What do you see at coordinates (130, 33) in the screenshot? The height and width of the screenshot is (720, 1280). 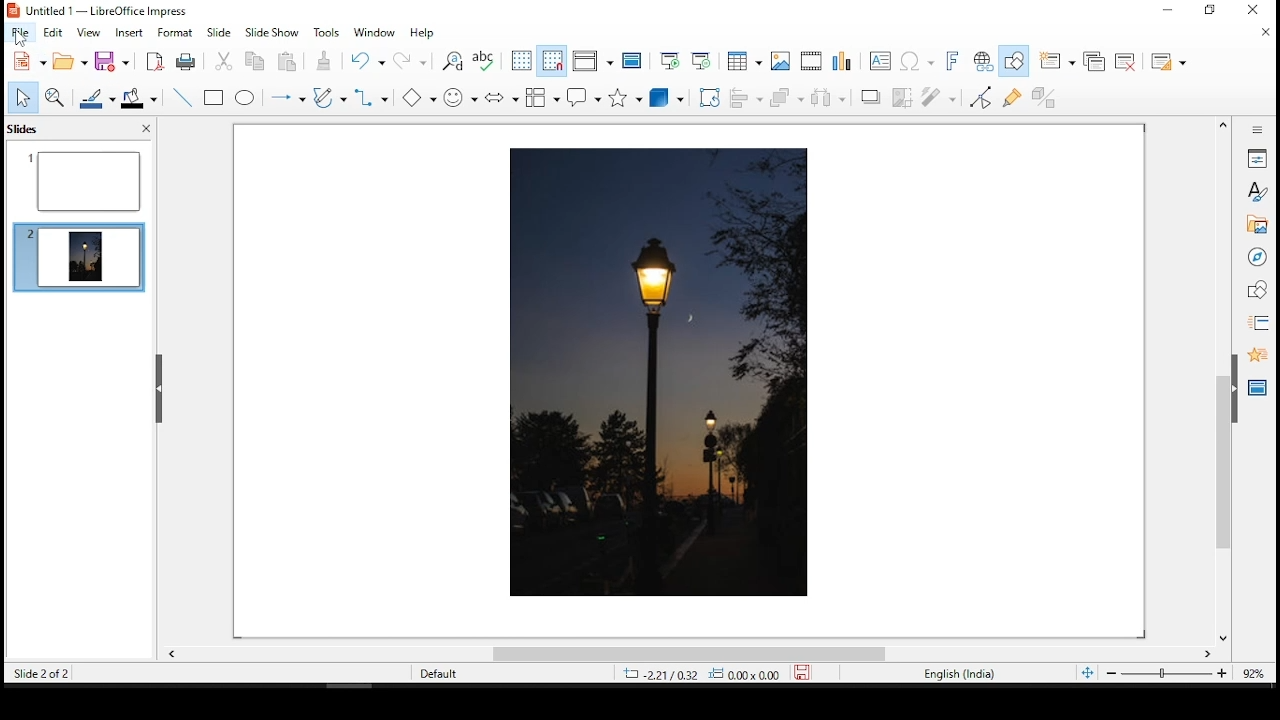 I see `insert` at bounding box center [130, 33].